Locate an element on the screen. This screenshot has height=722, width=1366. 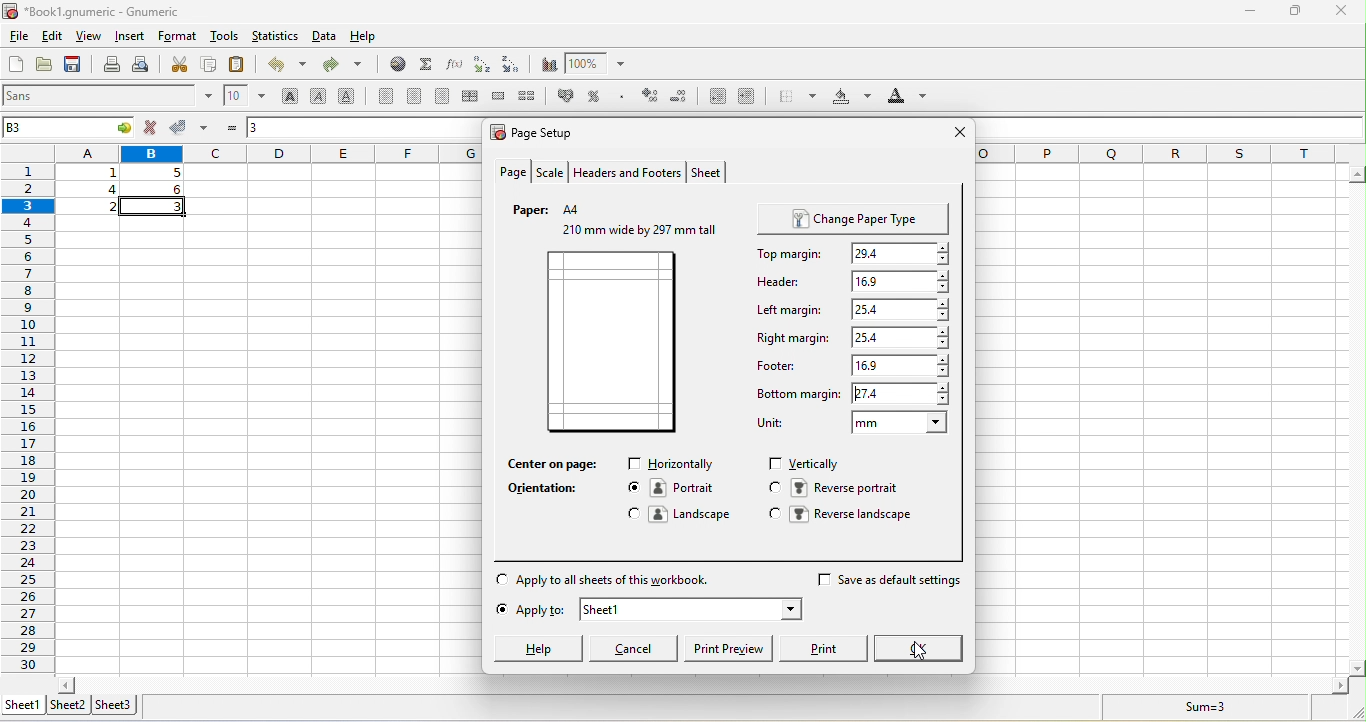
sheet 1 is located at coordinates (692, 608).